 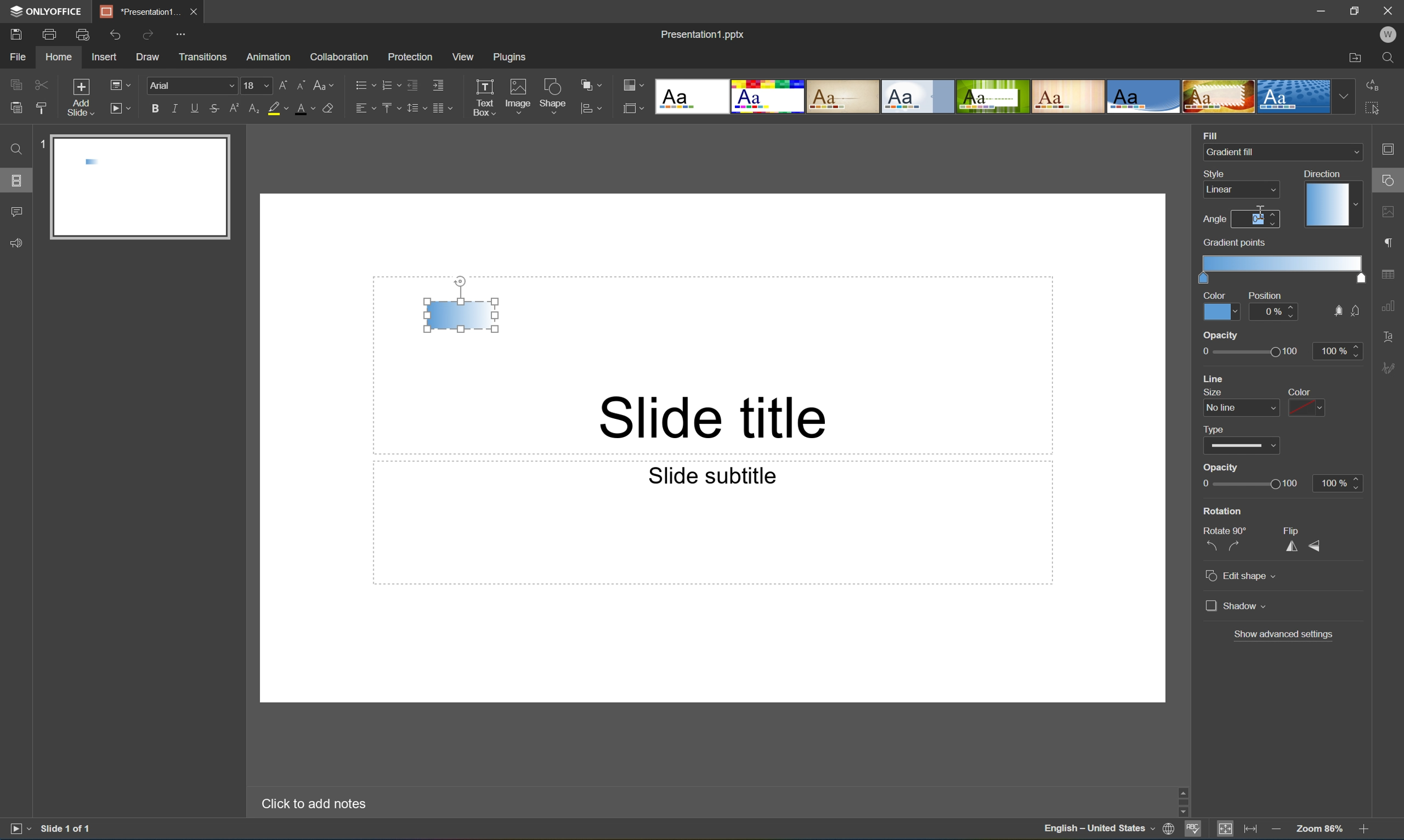 What do you see at coordinates (1211, 546) in the screenshot?
I see `Rotate 90° counterclockwise` at bounding box center [1211, 546].